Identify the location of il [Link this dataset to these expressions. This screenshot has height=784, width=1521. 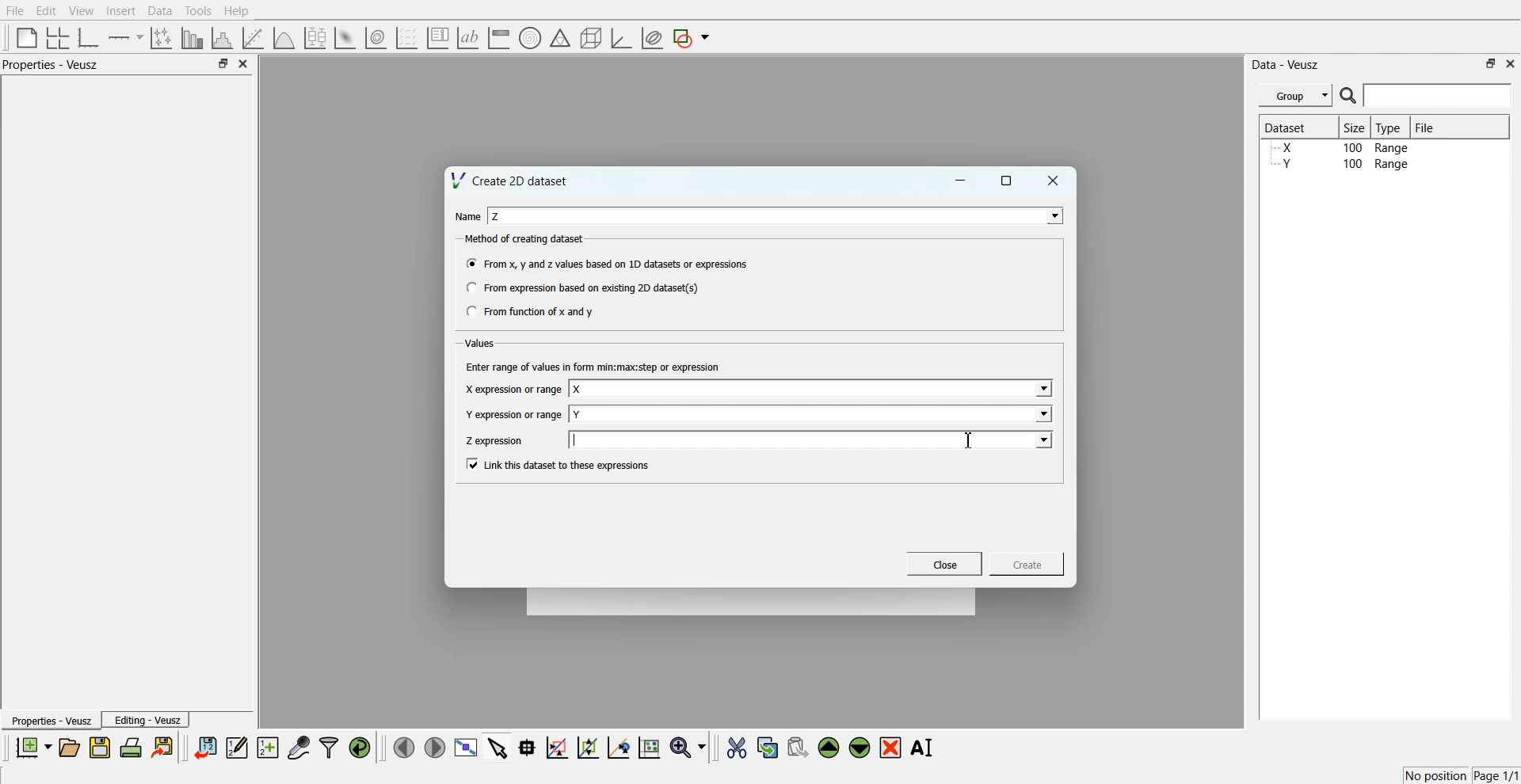
(559, 464).